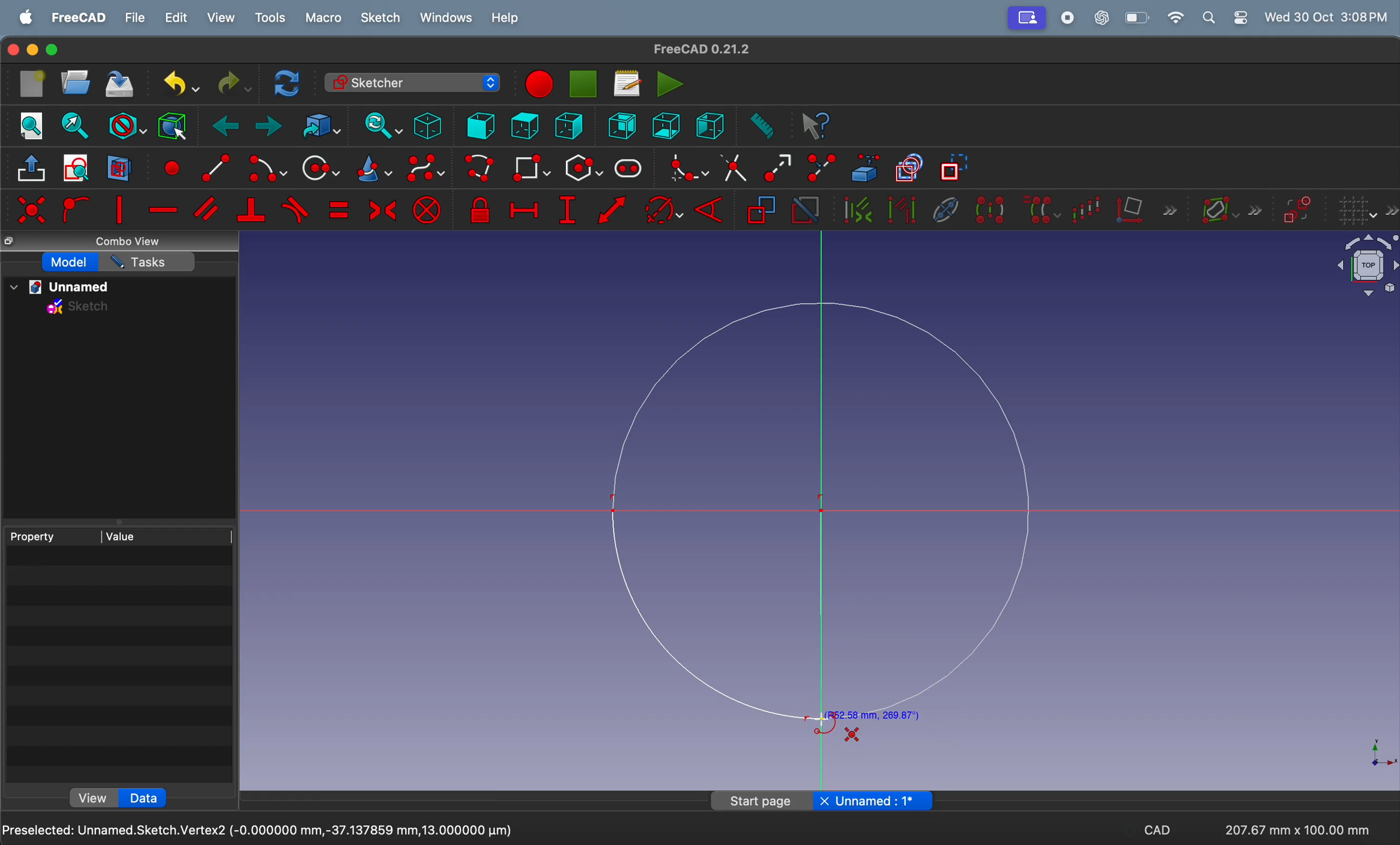  I want to click on trim edge , so click(733, 167).